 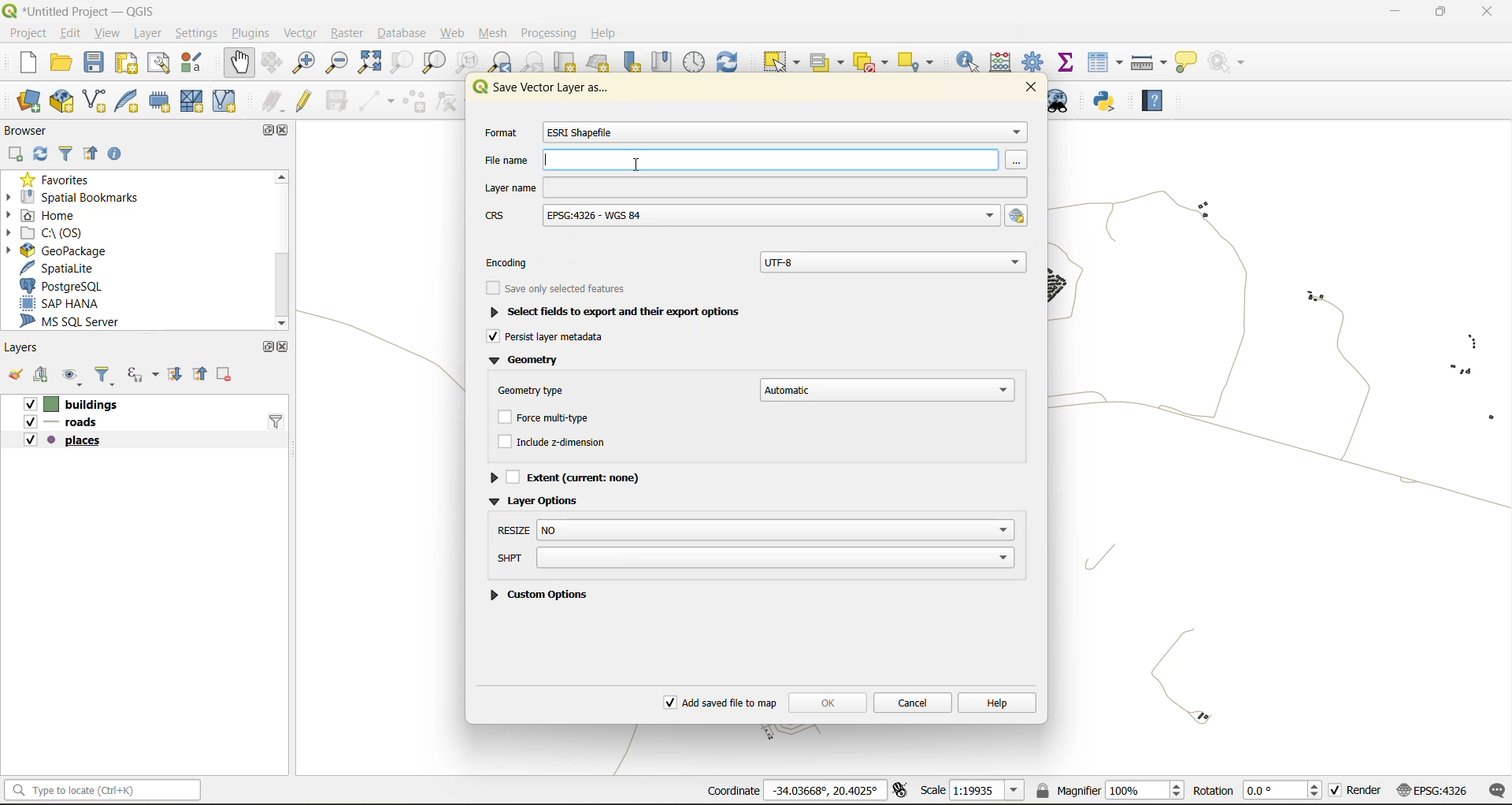 What do you see at coordinates (1071, 63) in the screenshot?
I see `statistical summary` at bounding box center [1071, 63].